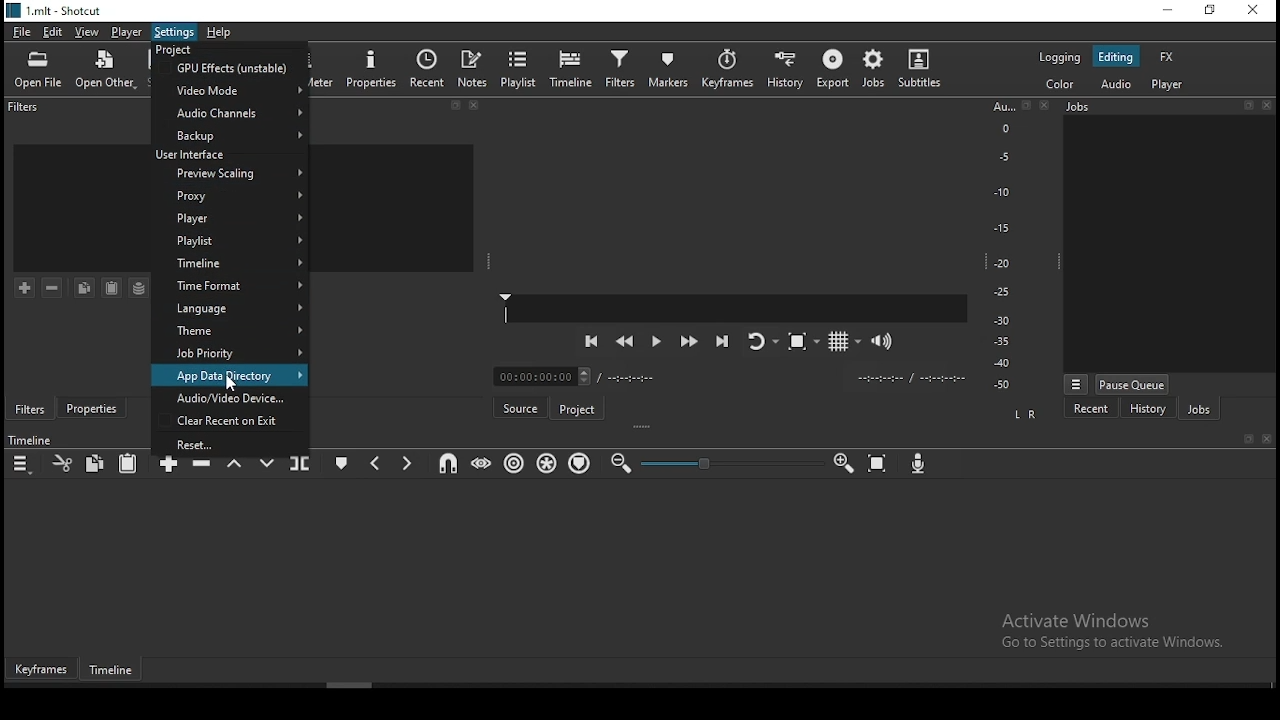  I want to click on copy filter, so click(84, 288).